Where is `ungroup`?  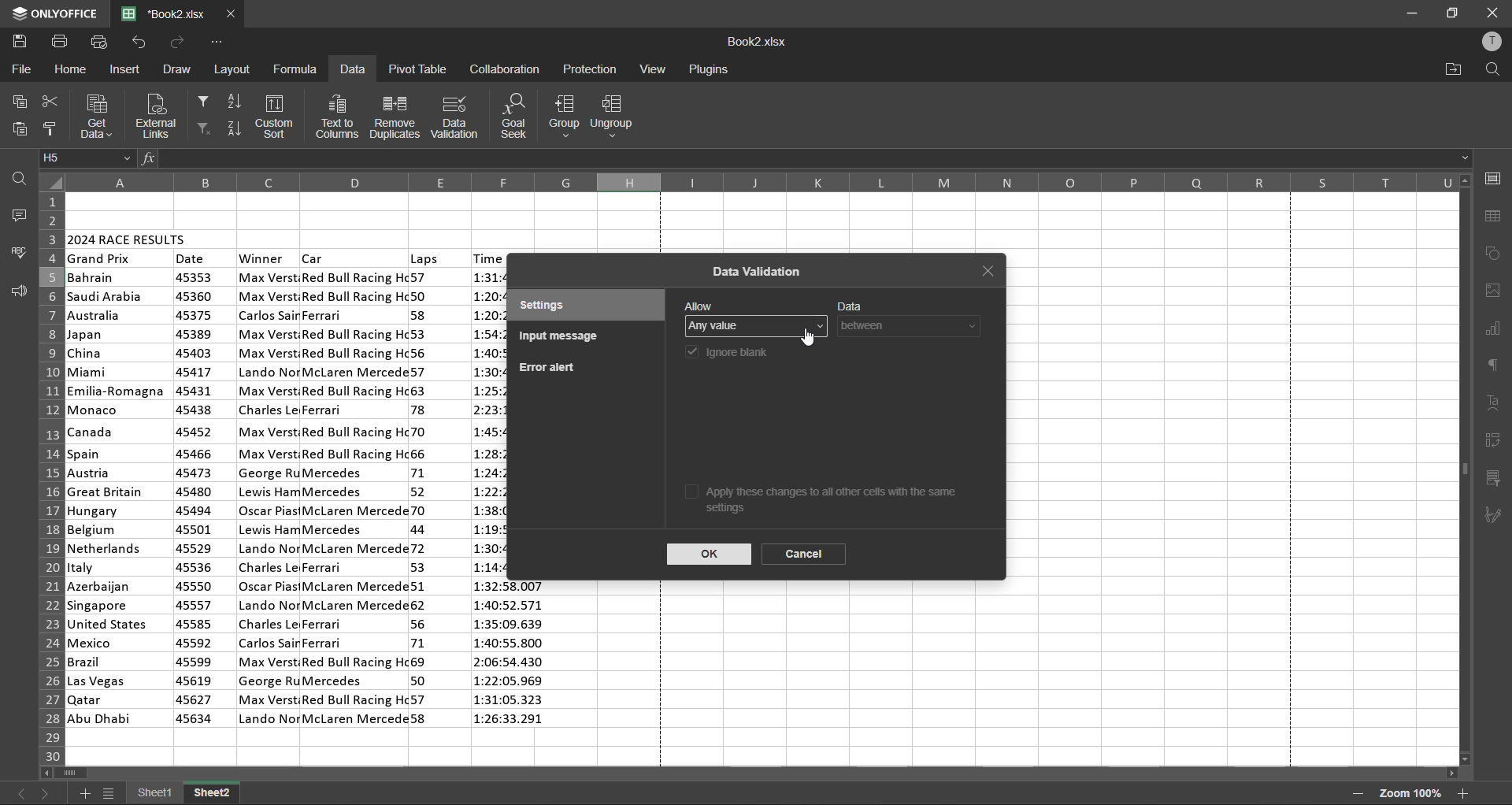 ungroup is located at coordinates (617, 117).